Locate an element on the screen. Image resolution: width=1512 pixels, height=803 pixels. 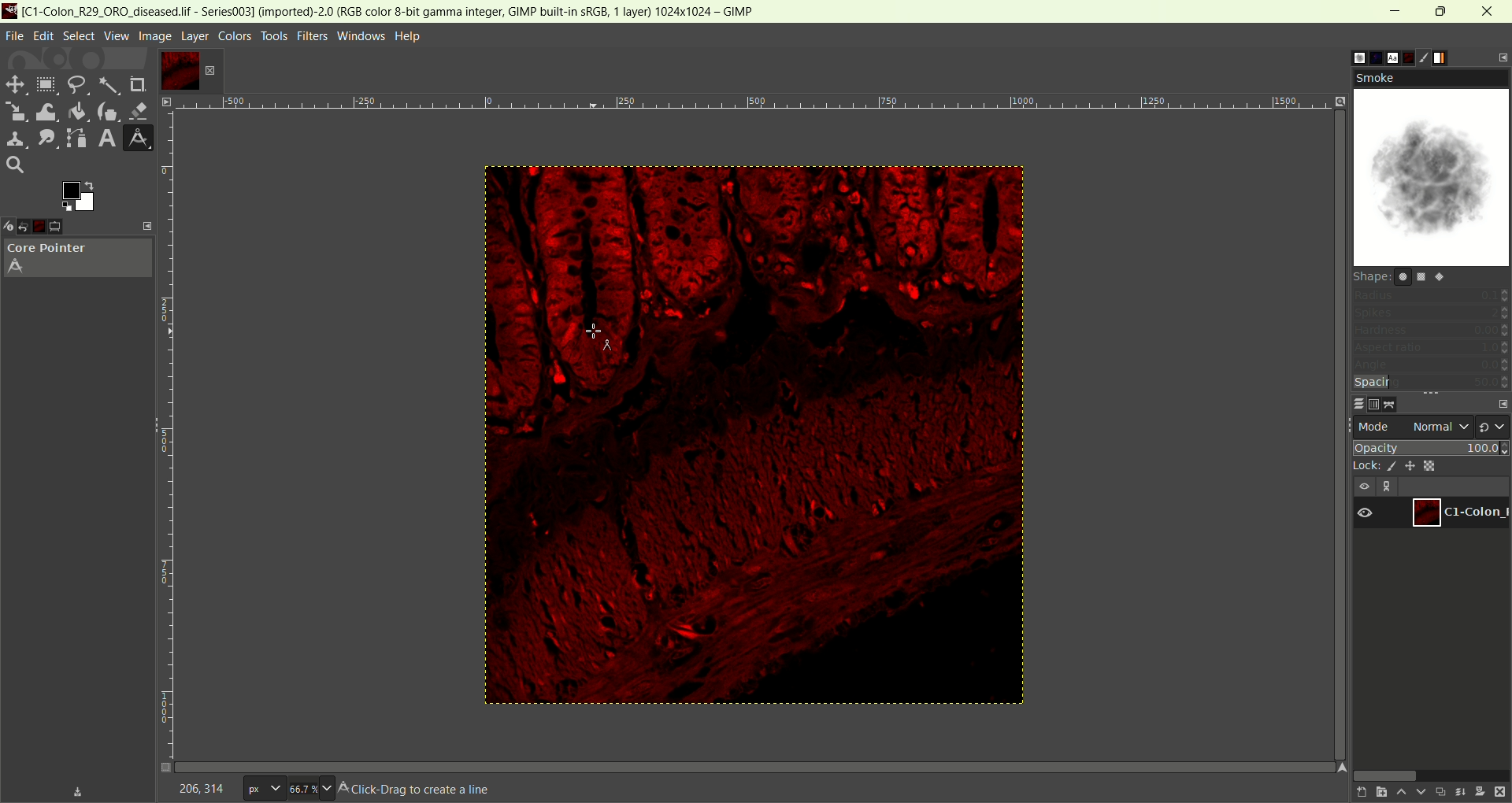
document history is located at coordinates (1409, 56).